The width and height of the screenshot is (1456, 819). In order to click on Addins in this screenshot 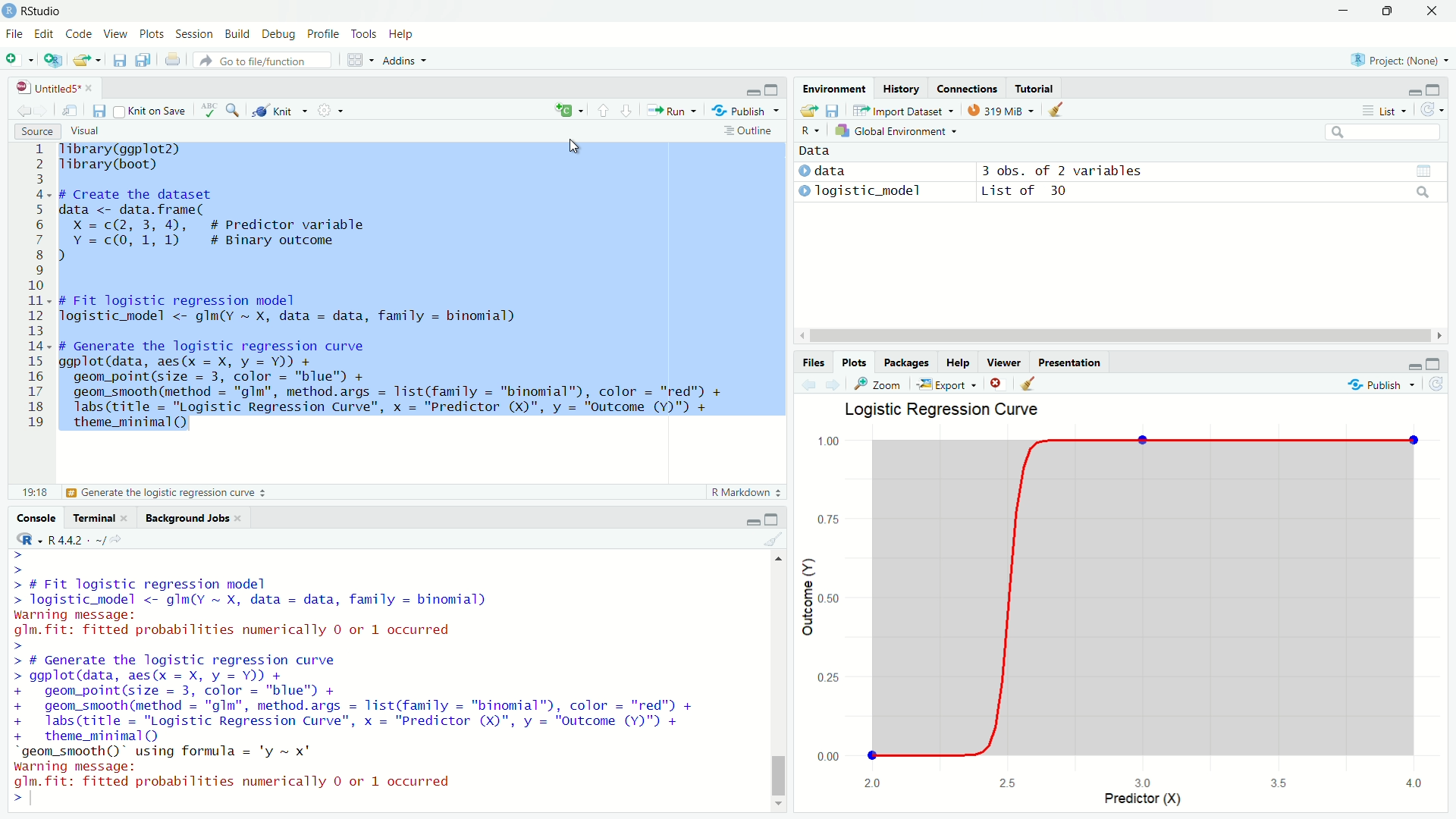, I will do `click(406, 60)`.